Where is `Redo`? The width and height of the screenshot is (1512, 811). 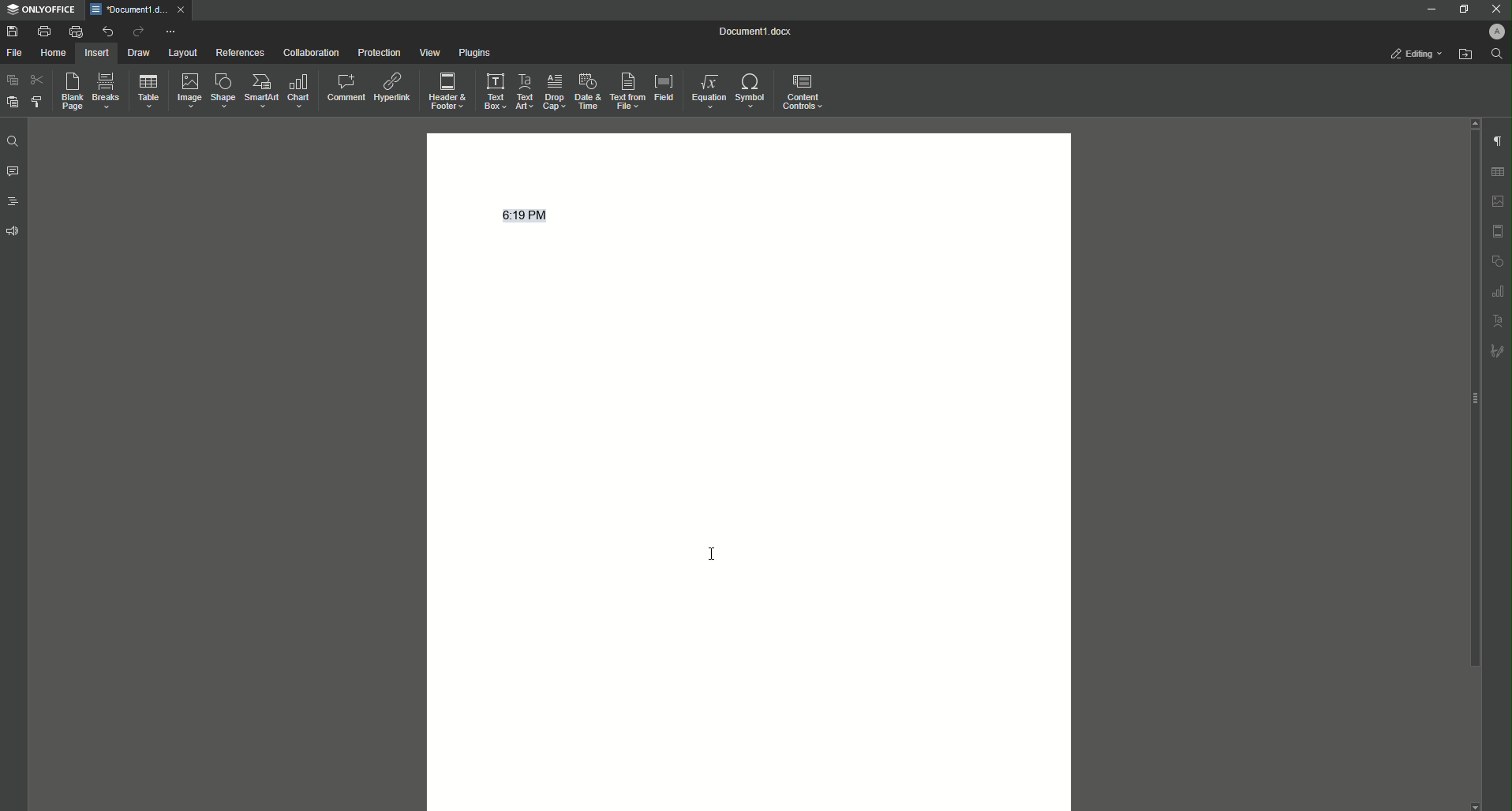
Redo is located at coordinates (136, 32).